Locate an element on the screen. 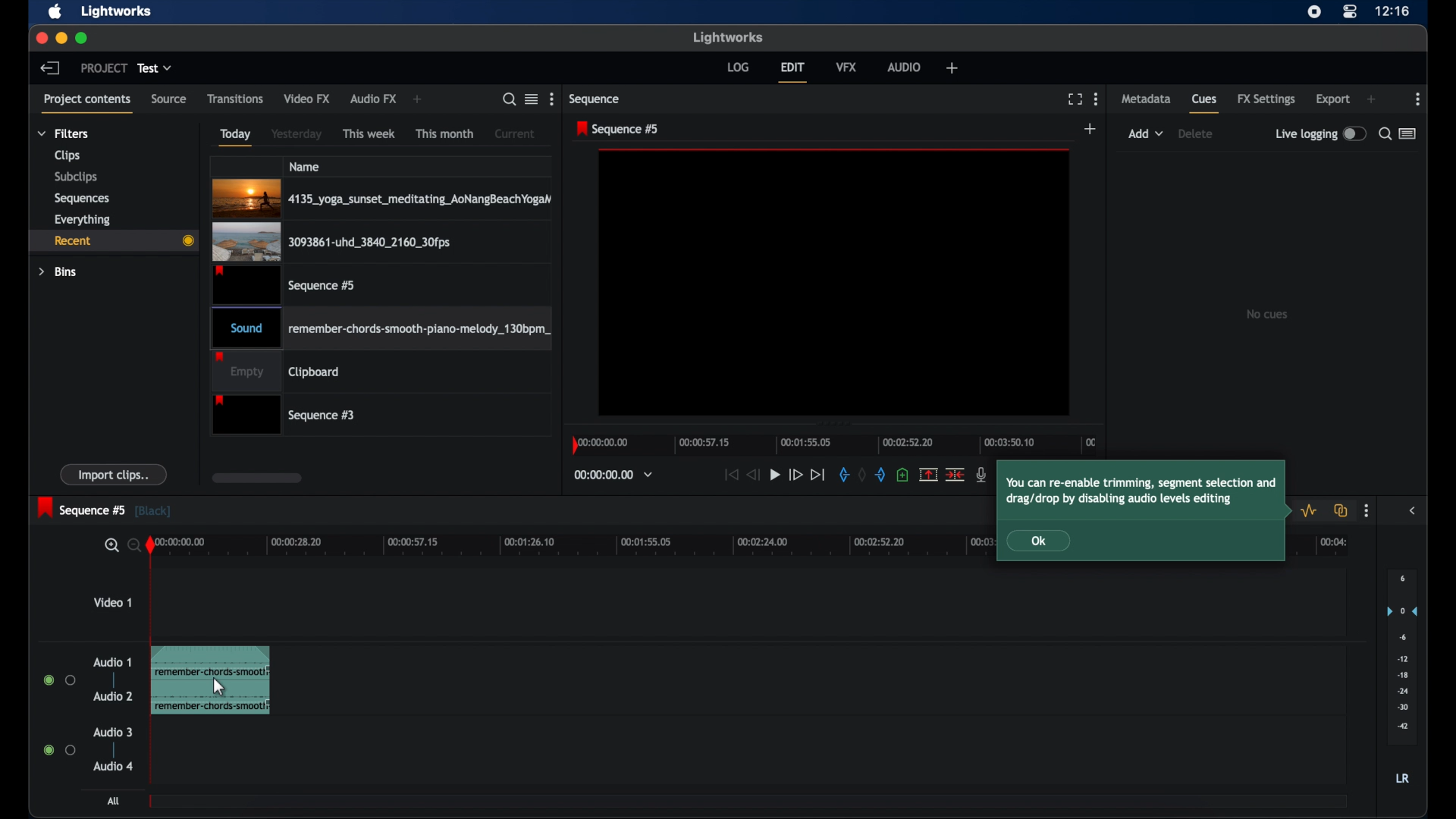 This screenshot has width=1456, height=819. transitions is located at coordinates (235, 99).